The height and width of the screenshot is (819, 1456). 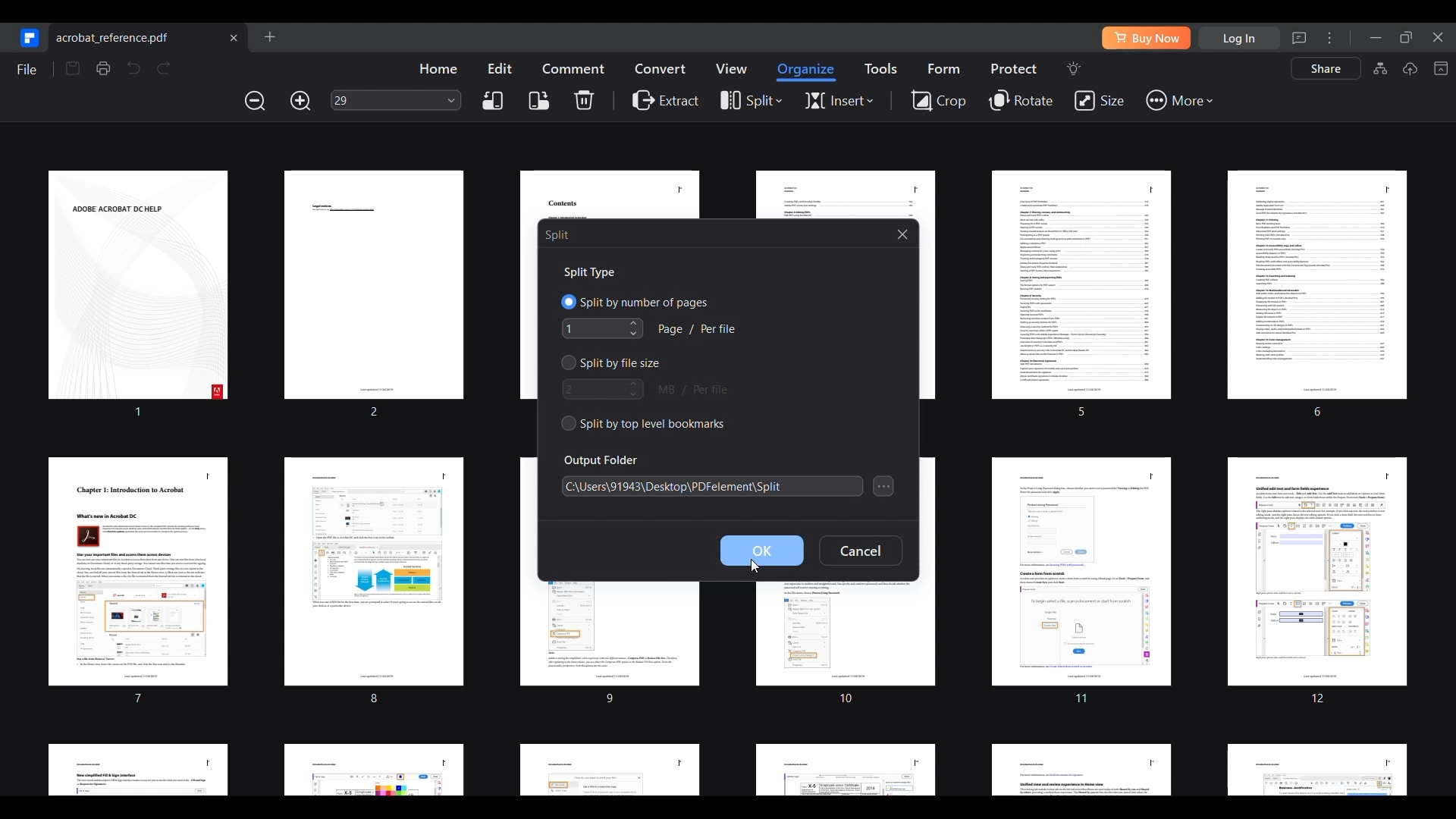 I want to click on Minimize, so click(x=1376, y=38).